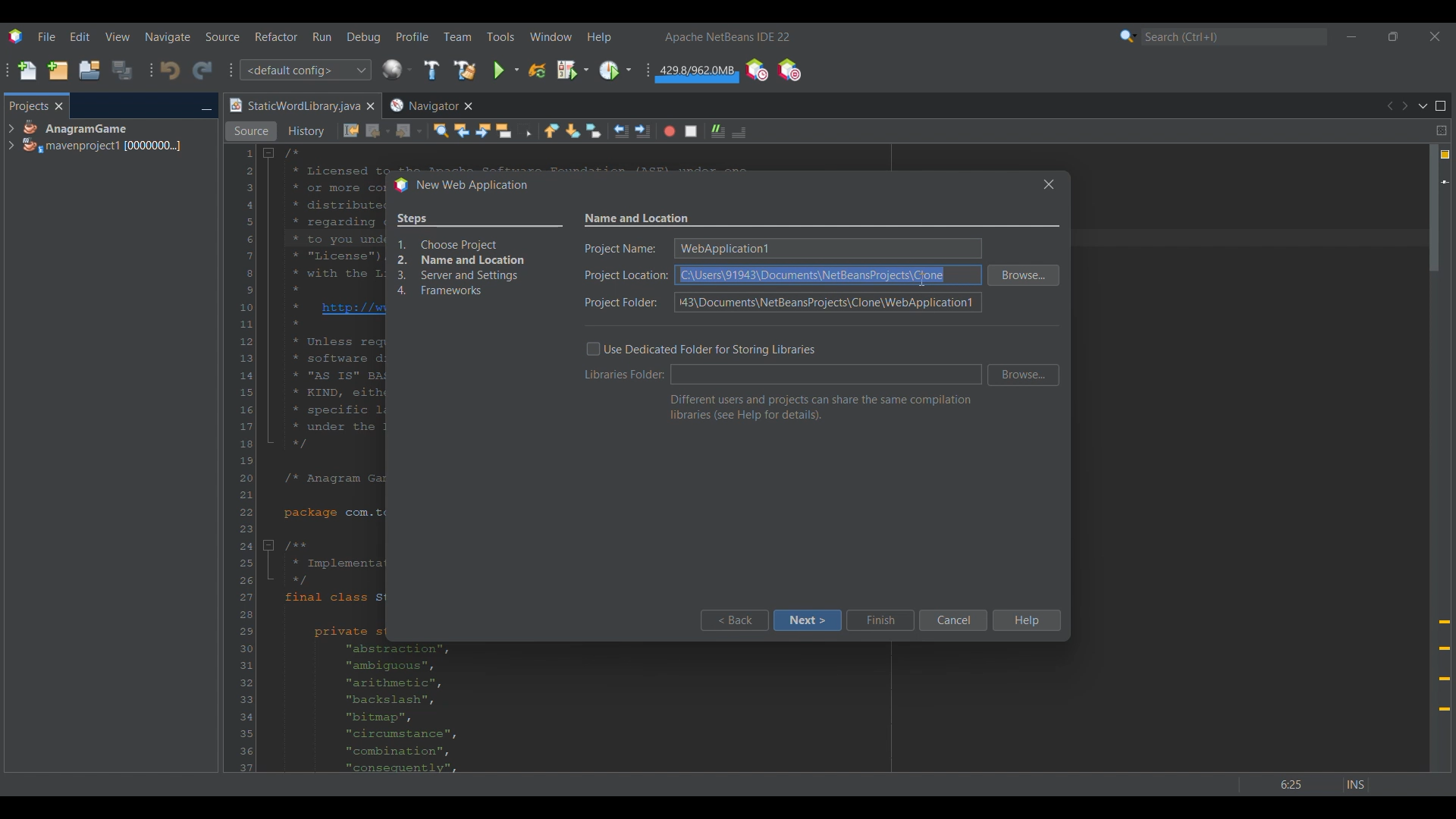 The height and width of the screenshot is (819, 1456). Describe the element at coordinates (378, 131) in the screenshot. I see `Back` at that location.